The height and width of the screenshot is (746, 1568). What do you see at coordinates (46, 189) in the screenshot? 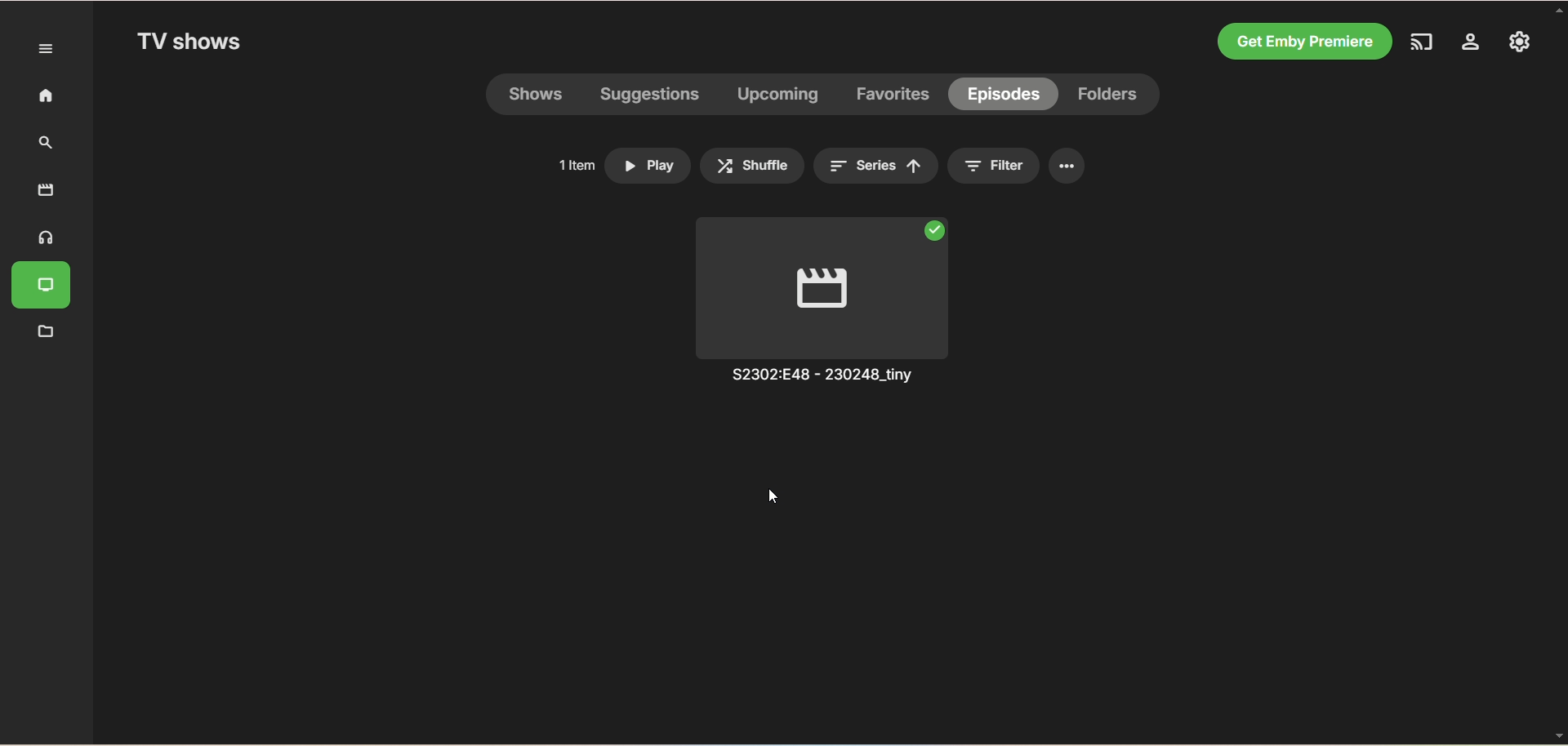
I see `movies` at bounding box center [46, 189].